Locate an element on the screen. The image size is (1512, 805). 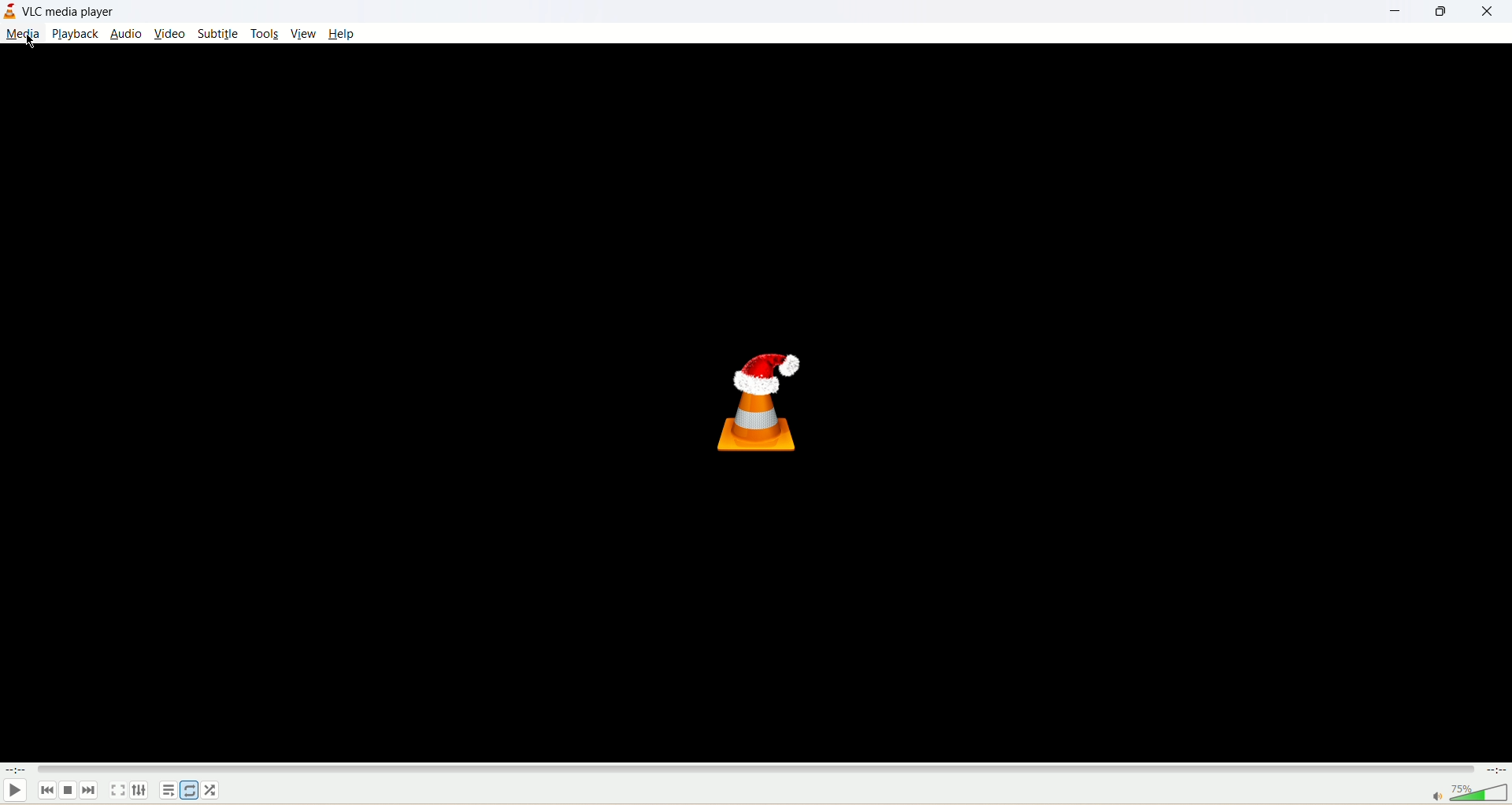
video is located at coordinates (172, 35).